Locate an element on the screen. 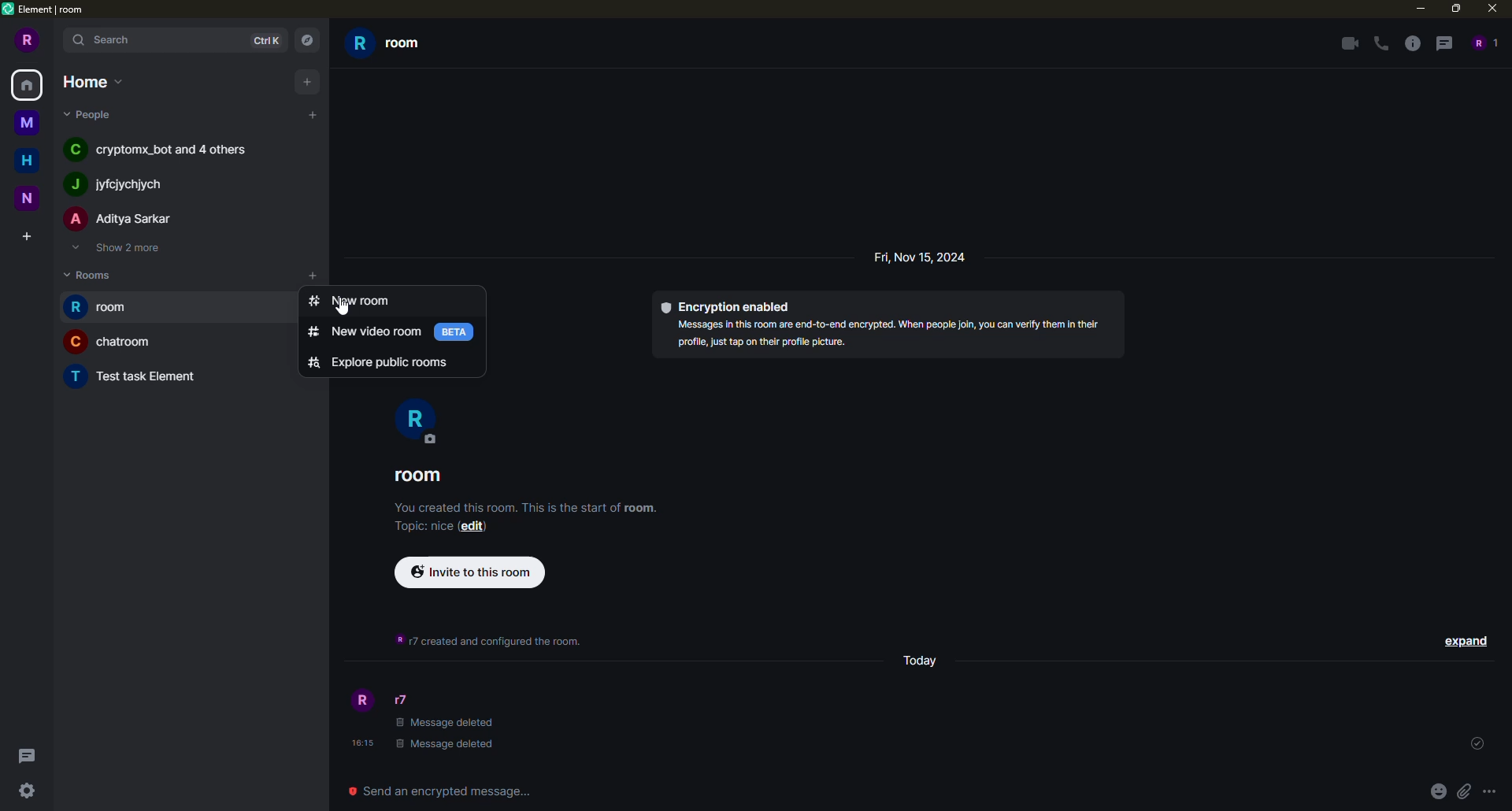 The image size is (1512, 811). message deleted is located at coordinates (452, 733).